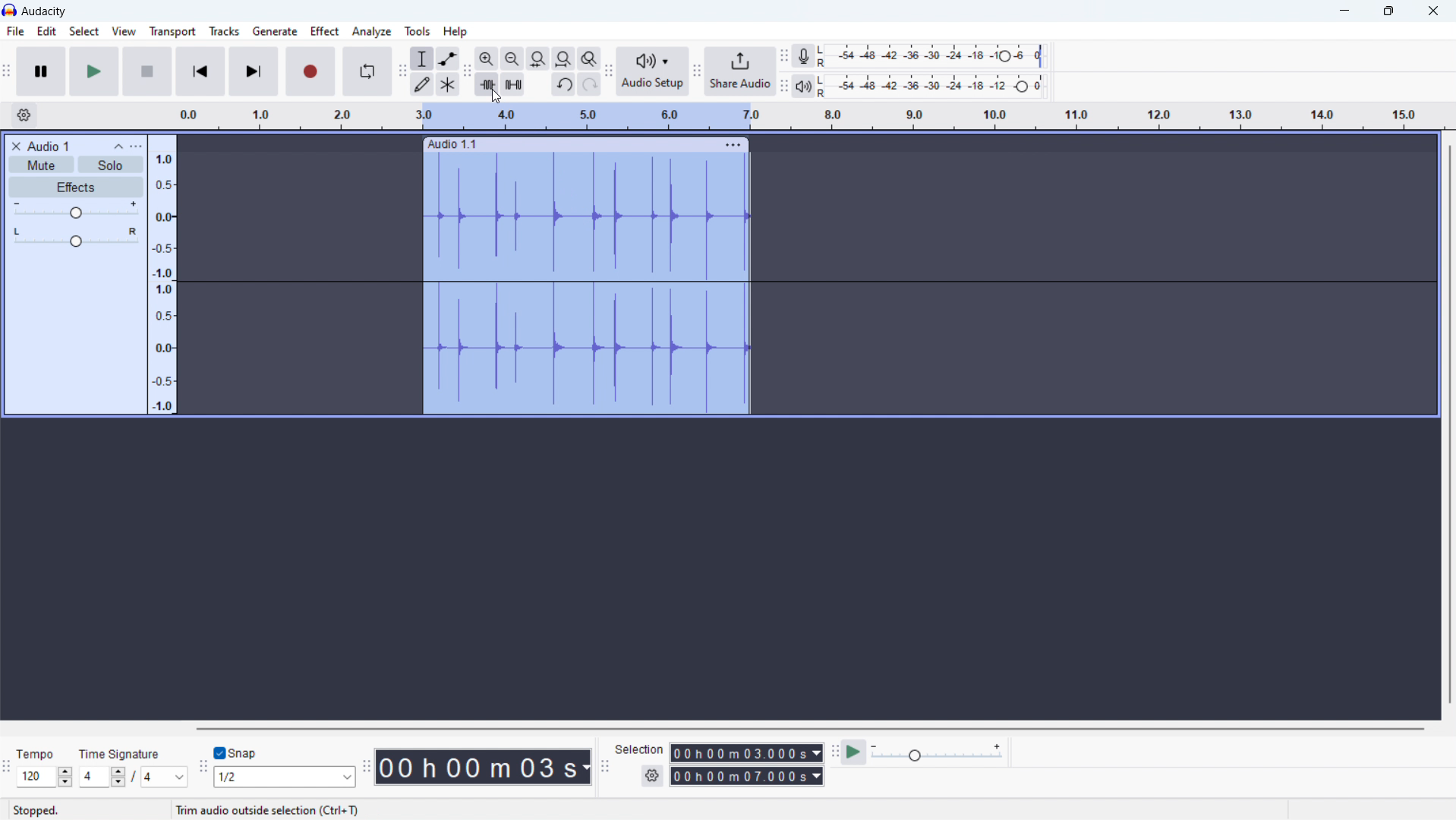  Describe the element at coordinates (468, 72) in the screenshot. I see `edit toolbar` at that location.